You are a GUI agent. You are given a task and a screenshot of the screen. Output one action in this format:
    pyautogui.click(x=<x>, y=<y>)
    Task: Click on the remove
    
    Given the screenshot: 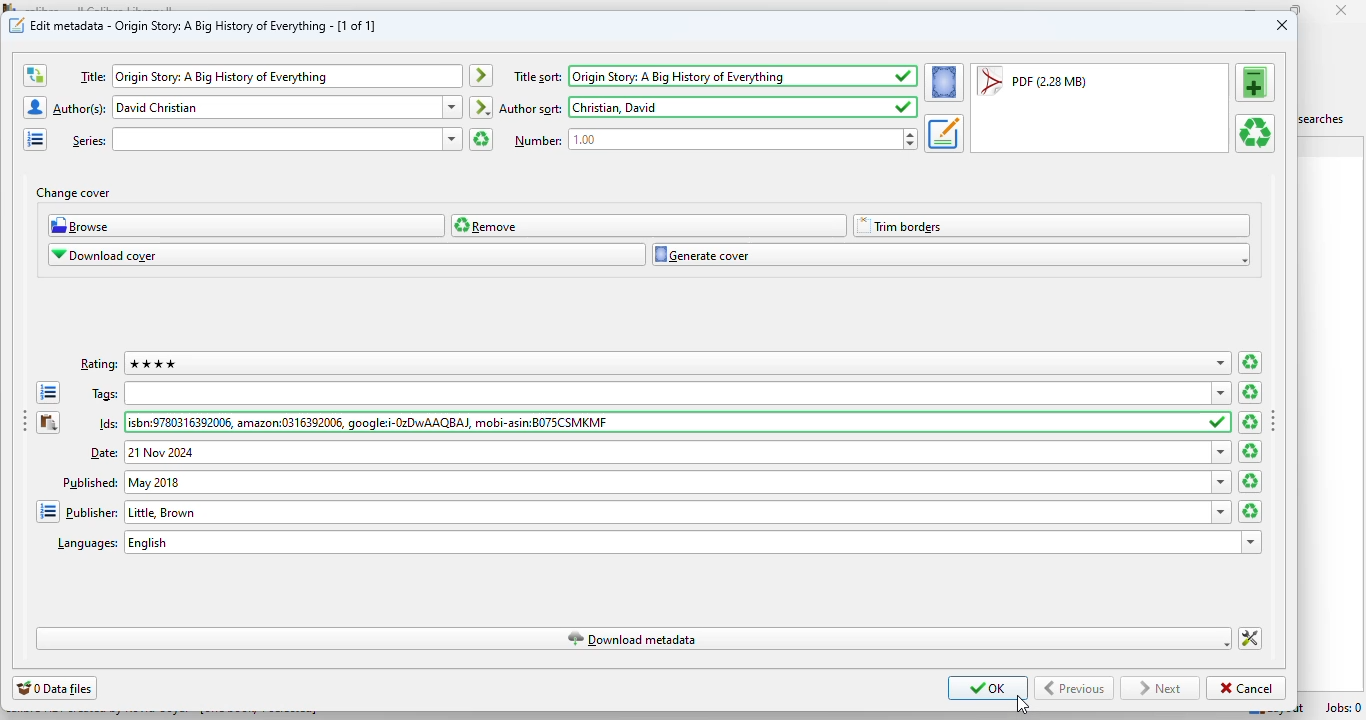 What is the action you would take?
    pyautogui.click(x=649, y=226)
    